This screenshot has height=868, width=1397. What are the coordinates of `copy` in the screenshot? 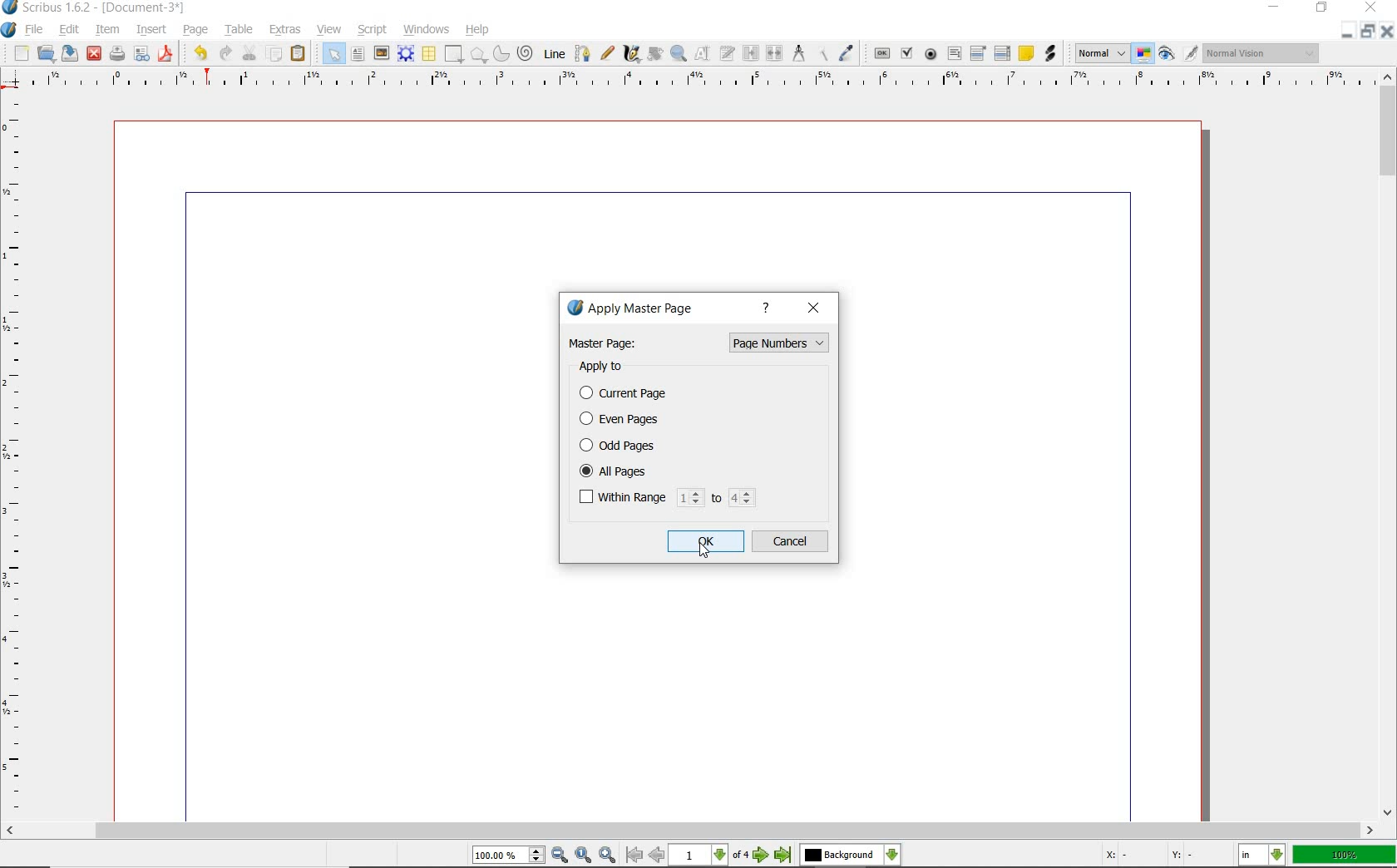 It's located at (274, 53).